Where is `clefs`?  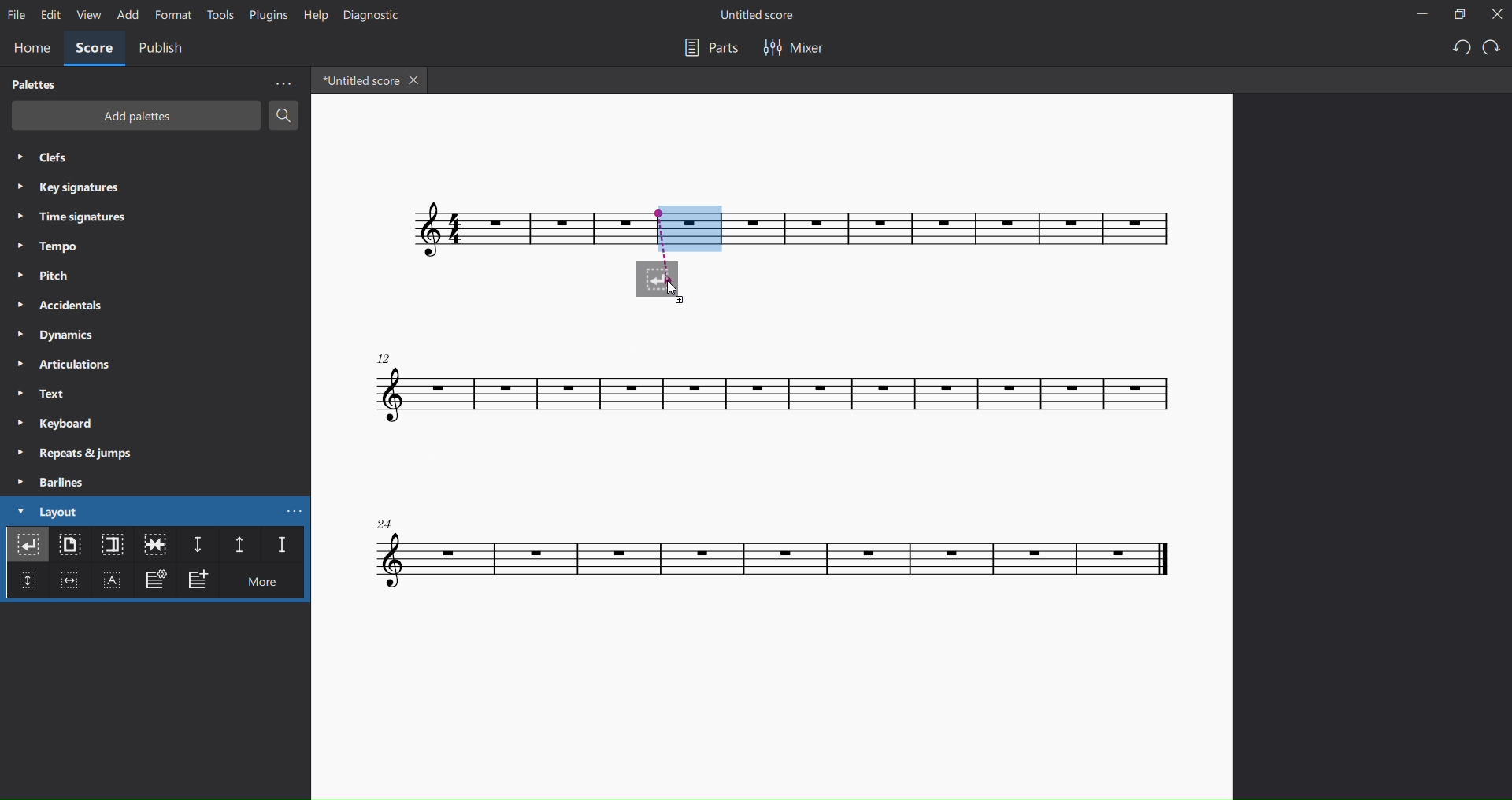
clefs is located at coordinates (50, 159).